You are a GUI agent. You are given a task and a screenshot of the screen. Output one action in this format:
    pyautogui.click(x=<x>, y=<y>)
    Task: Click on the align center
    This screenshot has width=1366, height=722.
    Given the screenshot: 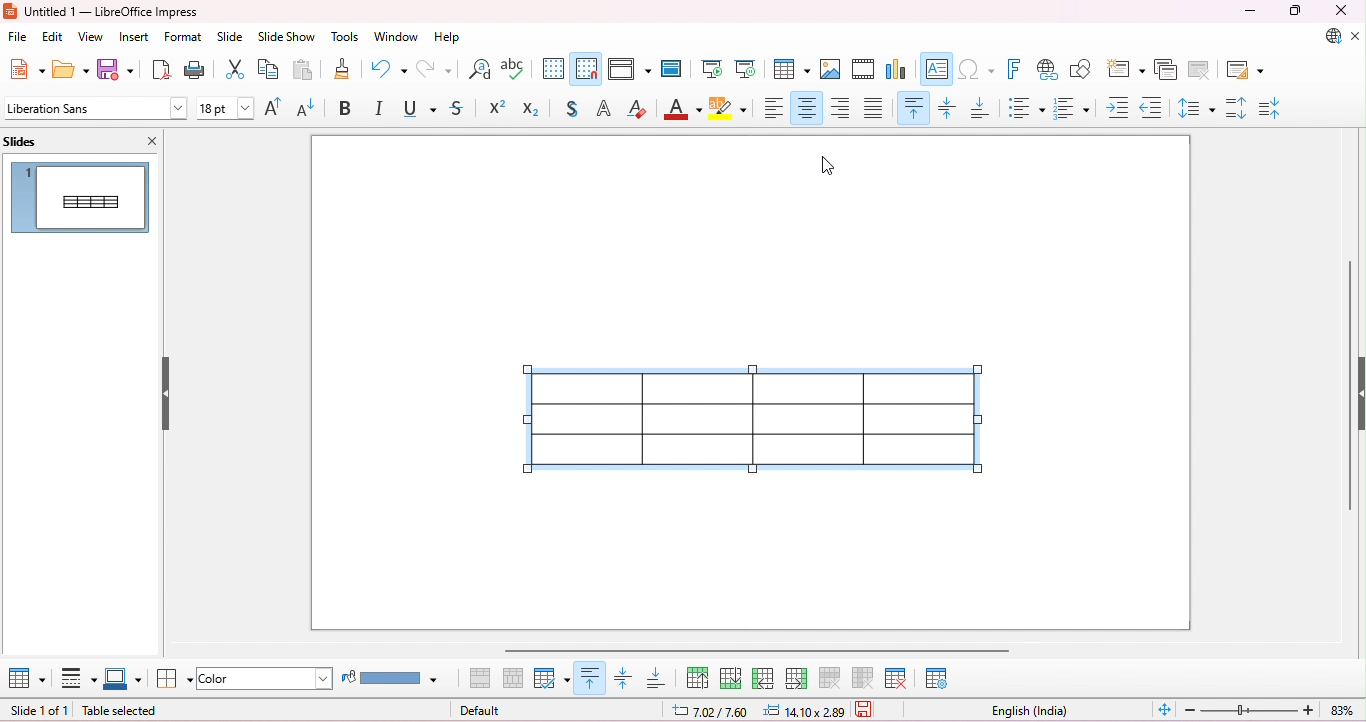 What is the action you would take?
    pyautogui.click(x=624, y=678)
    